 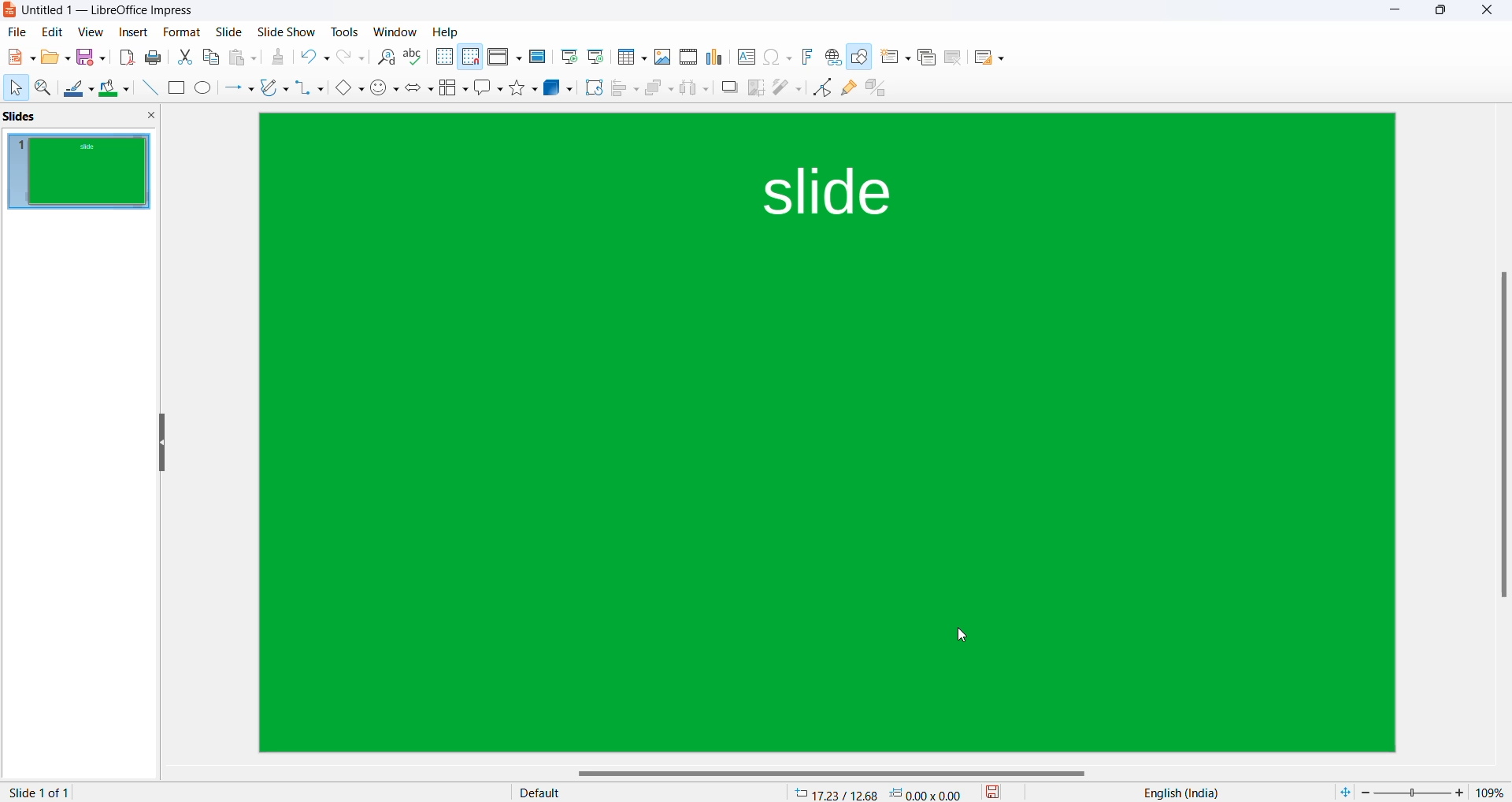 What do you see at coordinates (20, 61) in the screenshot?
I see `new file` at bounding box center [20, 61].